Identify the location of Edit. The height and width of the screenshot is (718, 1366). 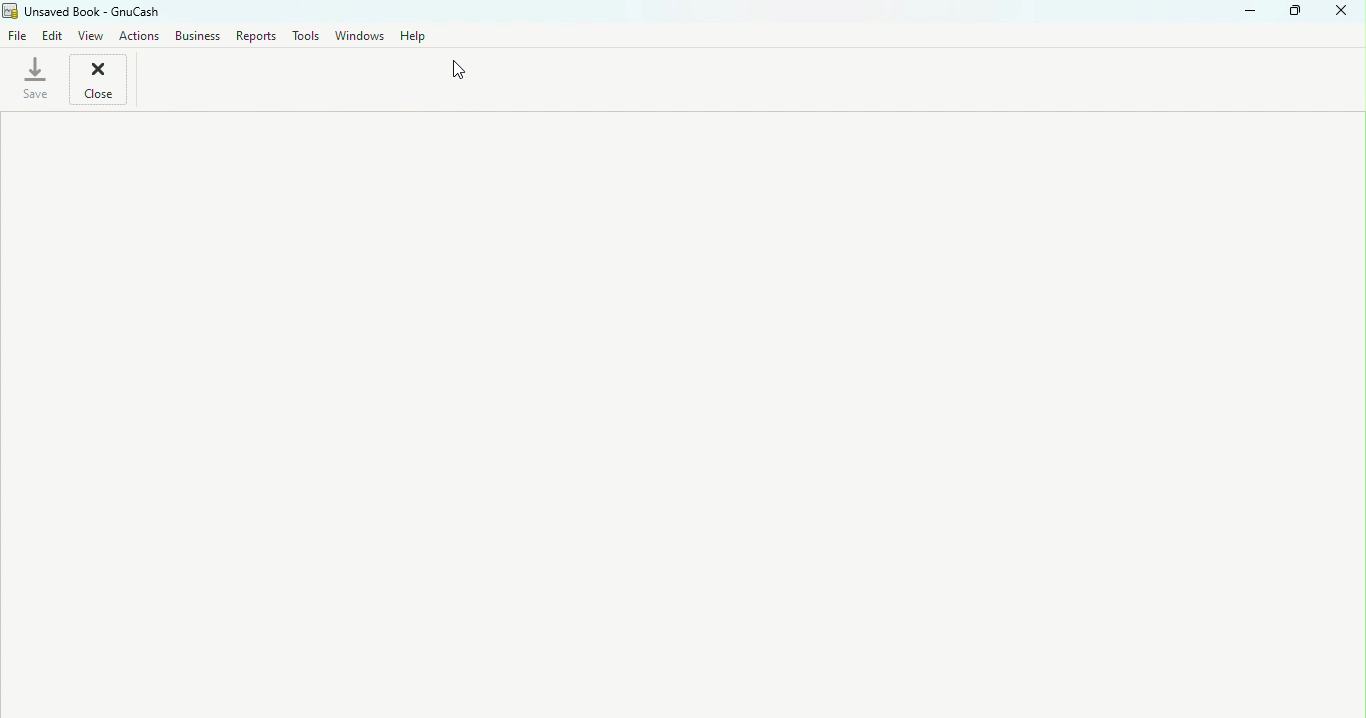
(52, 37).